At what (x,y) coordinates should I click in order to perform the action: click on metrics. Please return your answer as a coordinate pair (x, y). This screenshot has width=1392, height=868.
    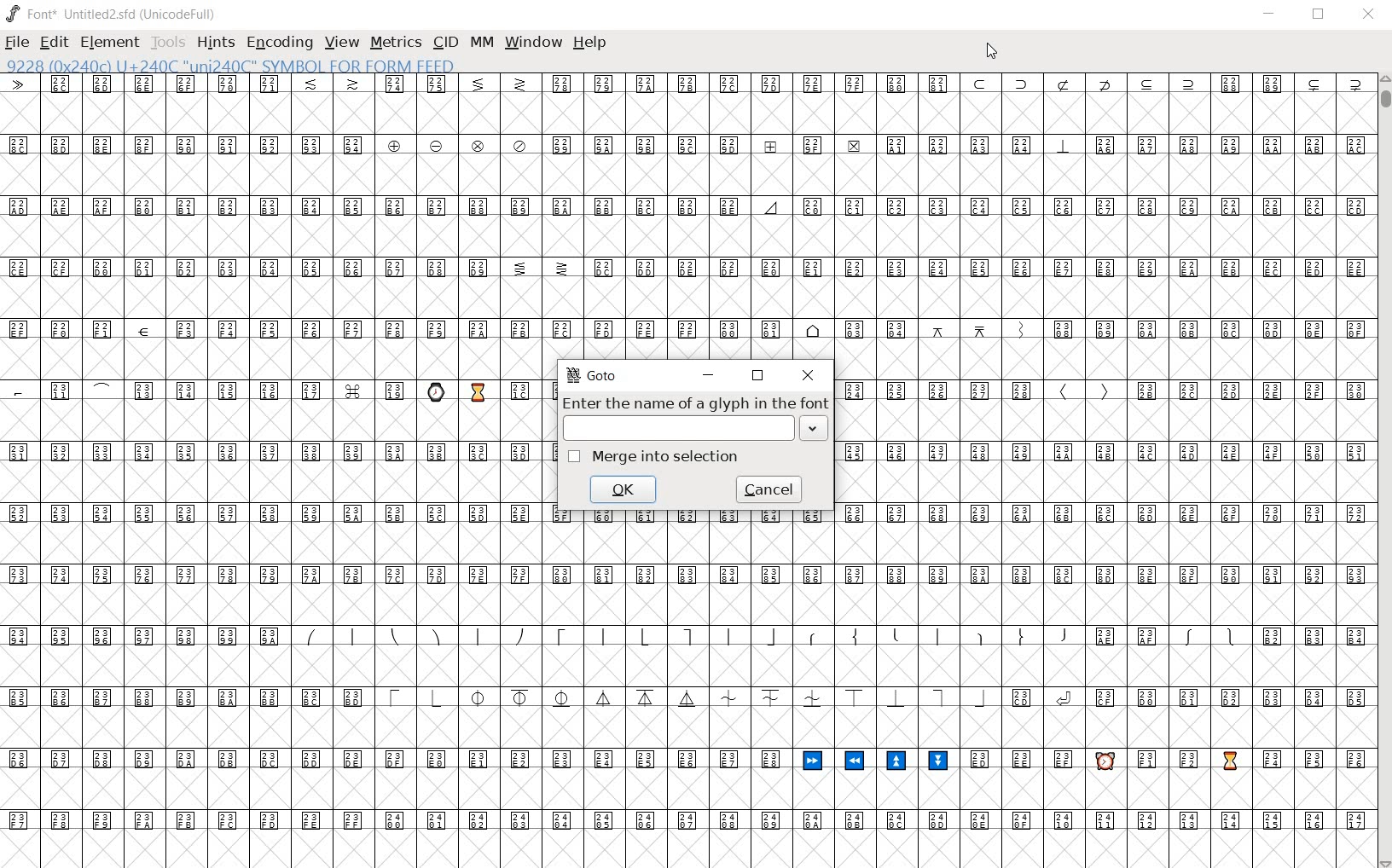
    Looking at the image, I should click on (395, 43).